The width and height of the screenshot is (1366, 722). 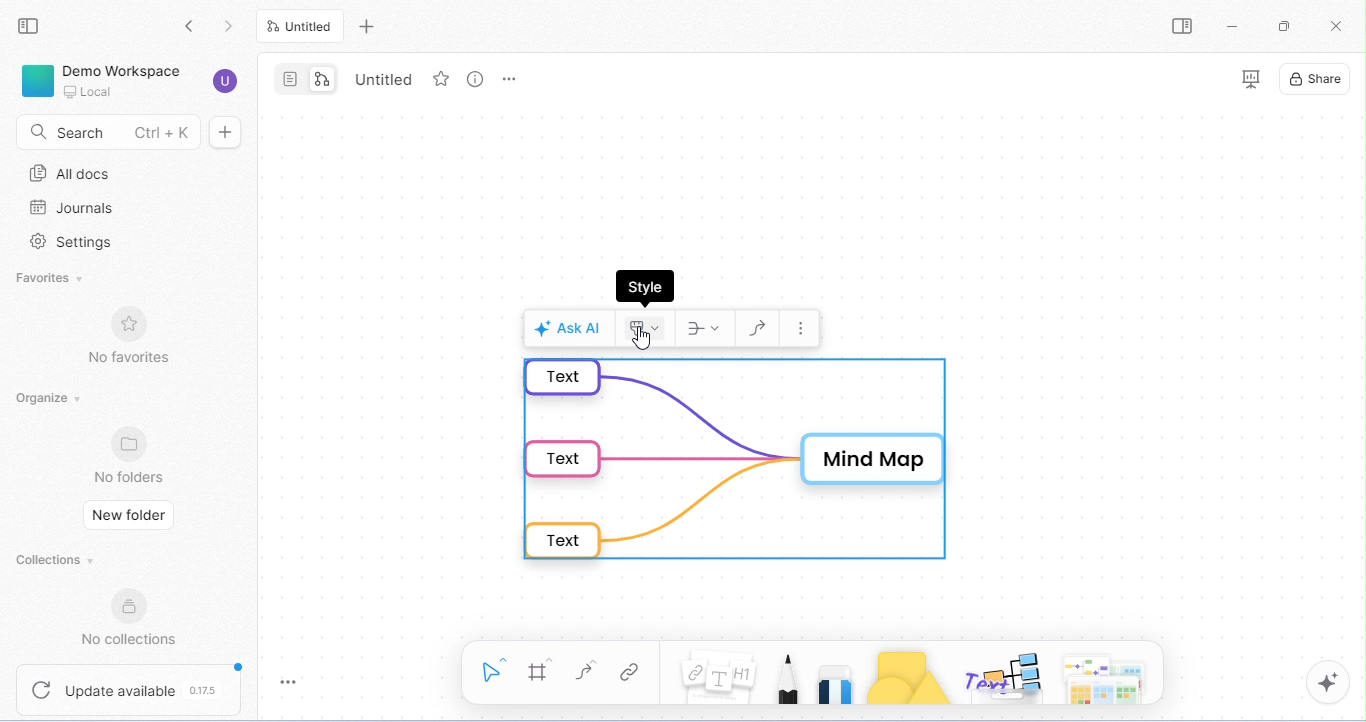 What do you see at coordinates (836, 682) in the screenshot?
I see `eraser` at bounding box center [836, 682].